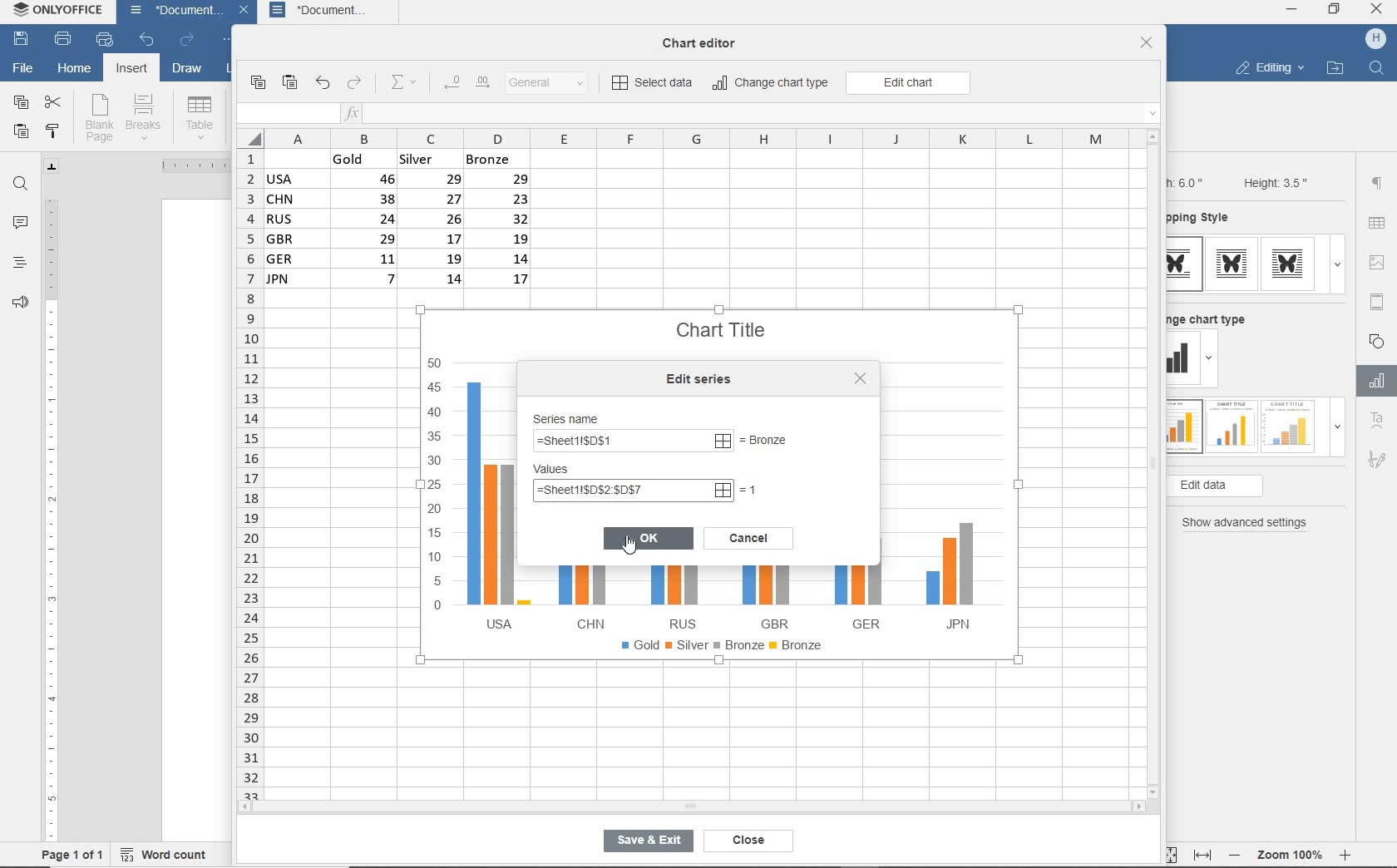 This screenshot has width=1397, height=868. I want to click on type 3, so click(1292, 264).